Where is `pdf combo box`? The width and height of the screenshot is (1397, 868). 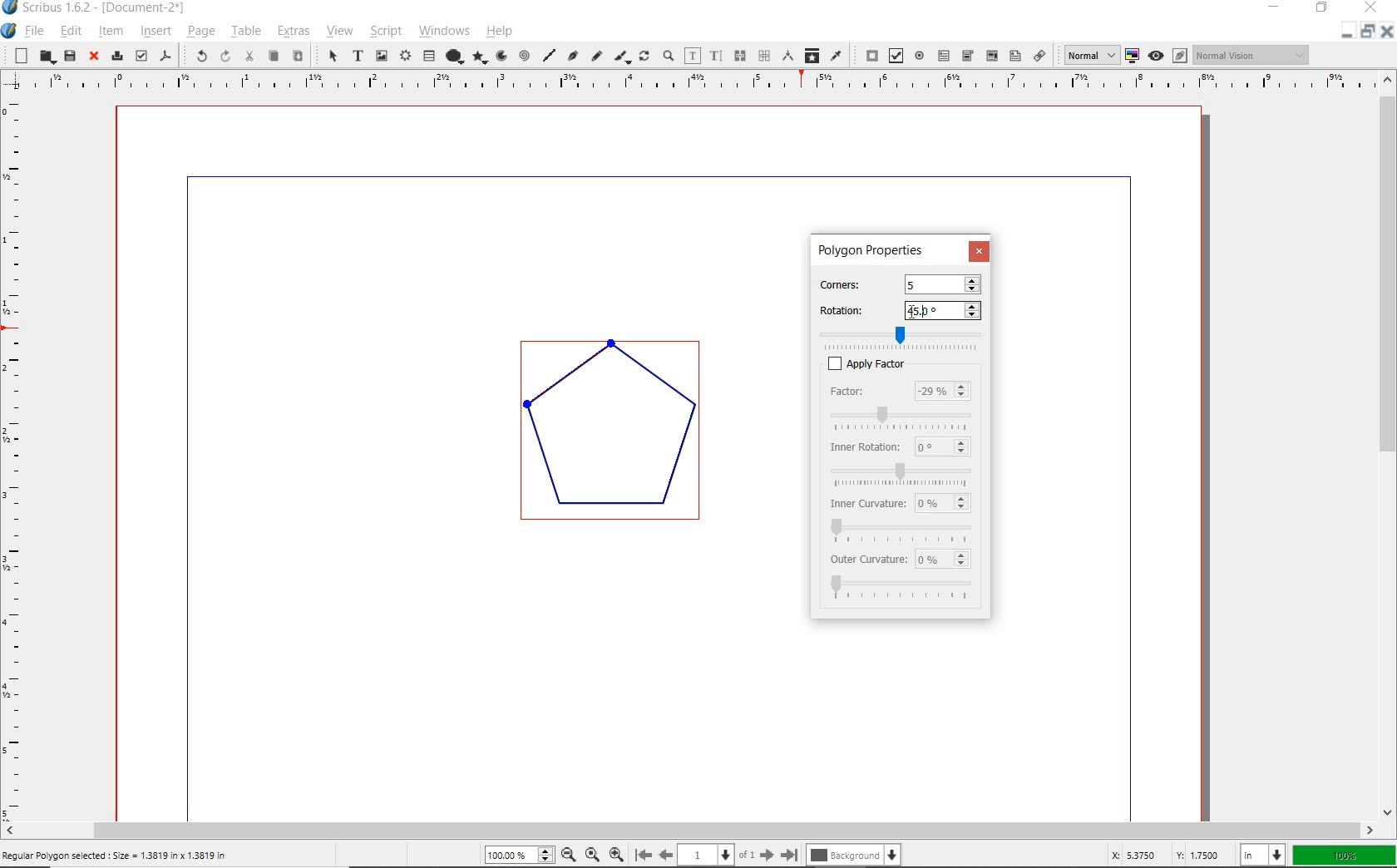 pdf combo box is located at coordinates (967, 56).